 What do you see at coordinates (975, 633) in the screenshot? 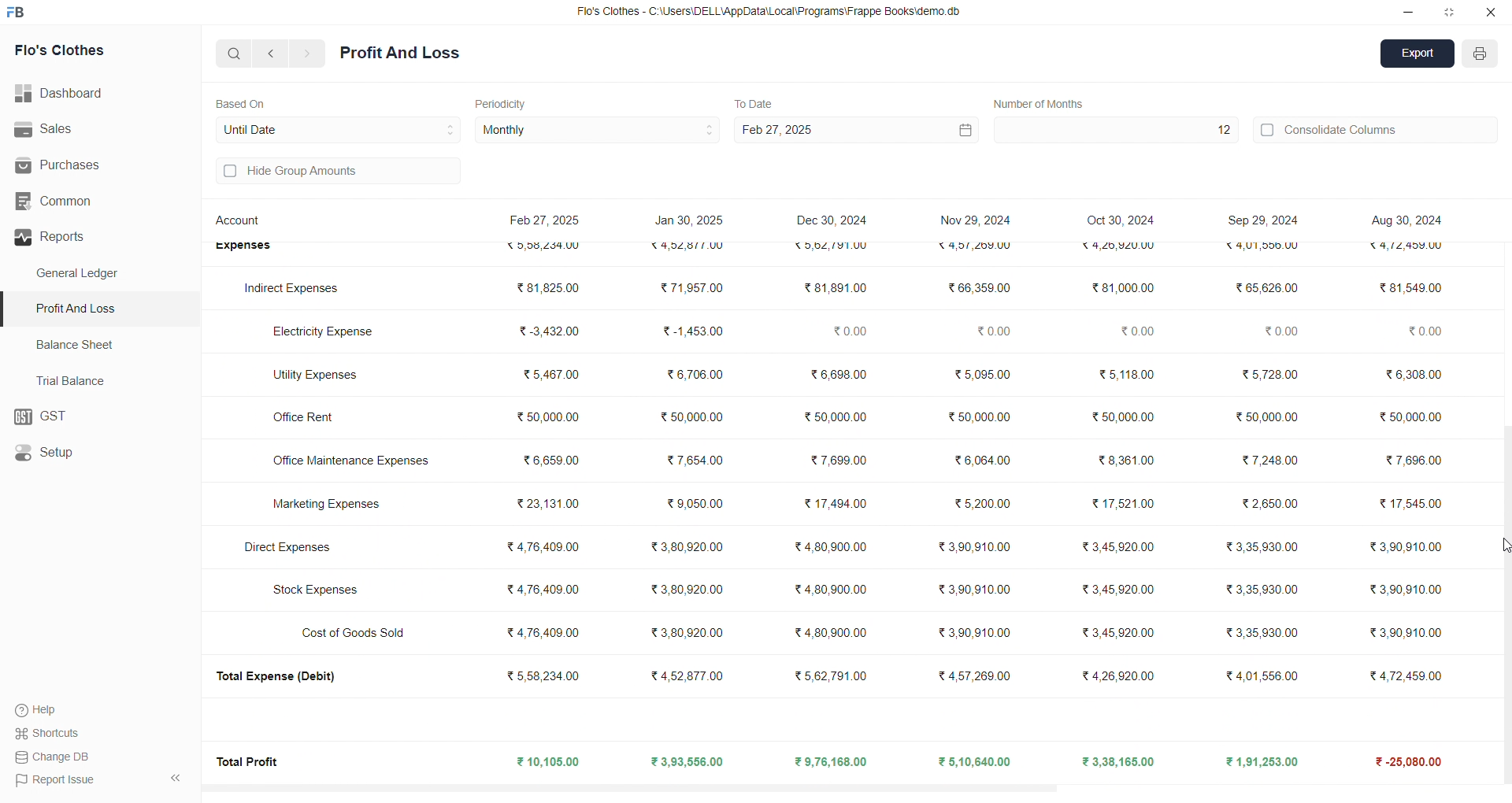
I see `₹3,90,910.00` at bounding box center [975, 633].